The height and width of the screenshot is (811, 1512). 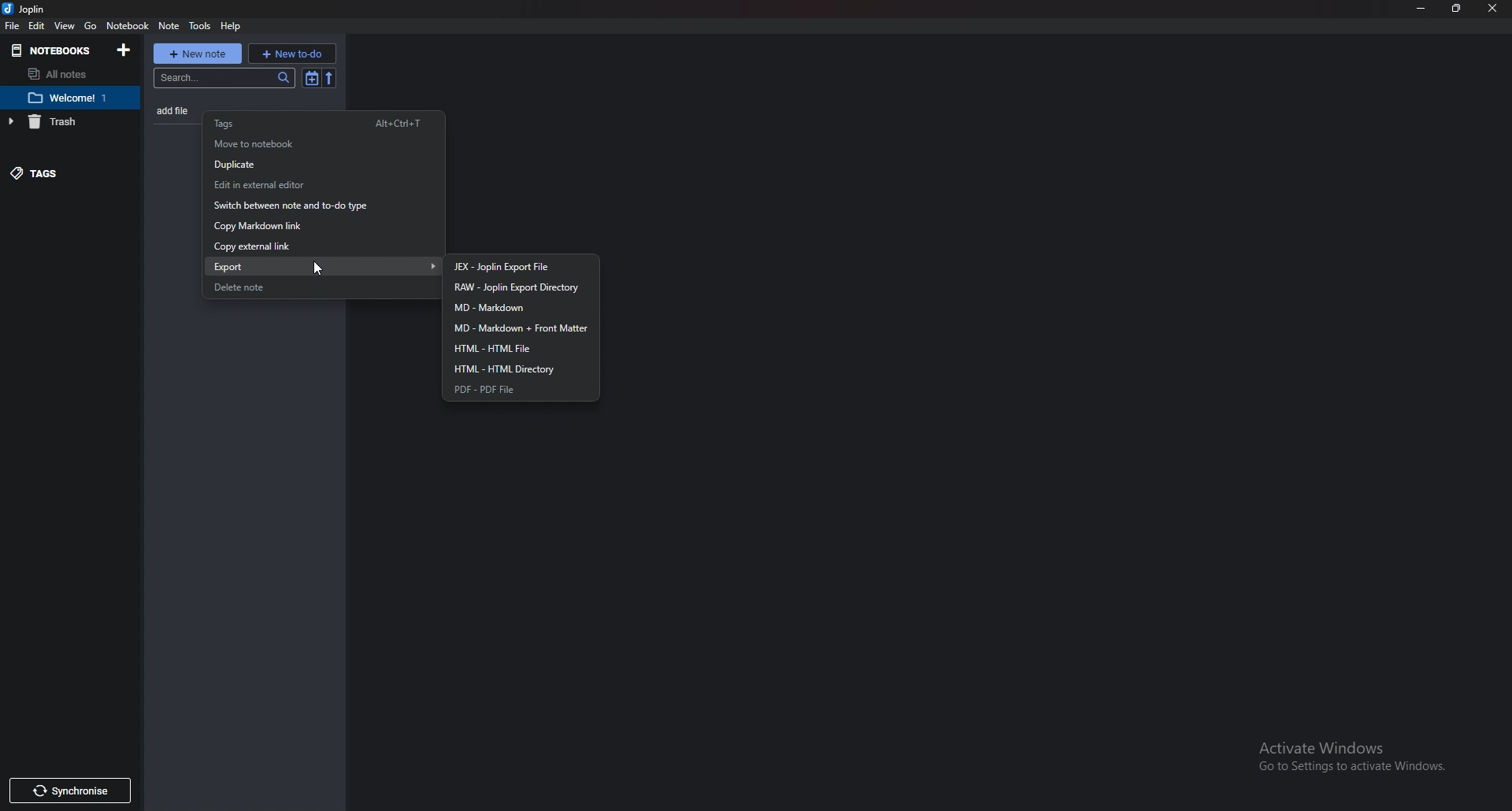 I want to click on New to do, so click(x=292, y=53).